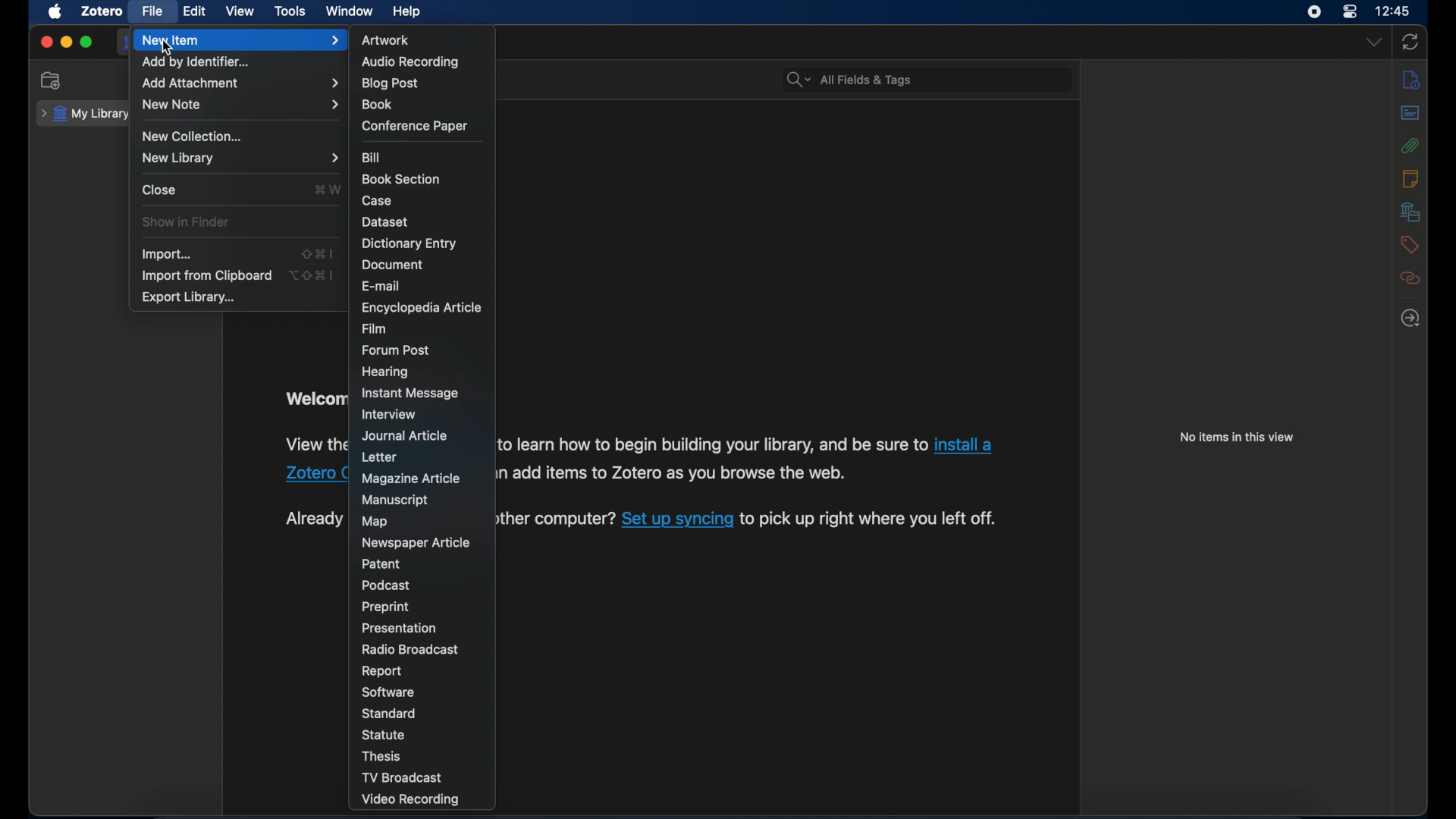 Image resolution: width=1456 pixels, height=819 pixels. I want to click on maximize, so click(86, 42).